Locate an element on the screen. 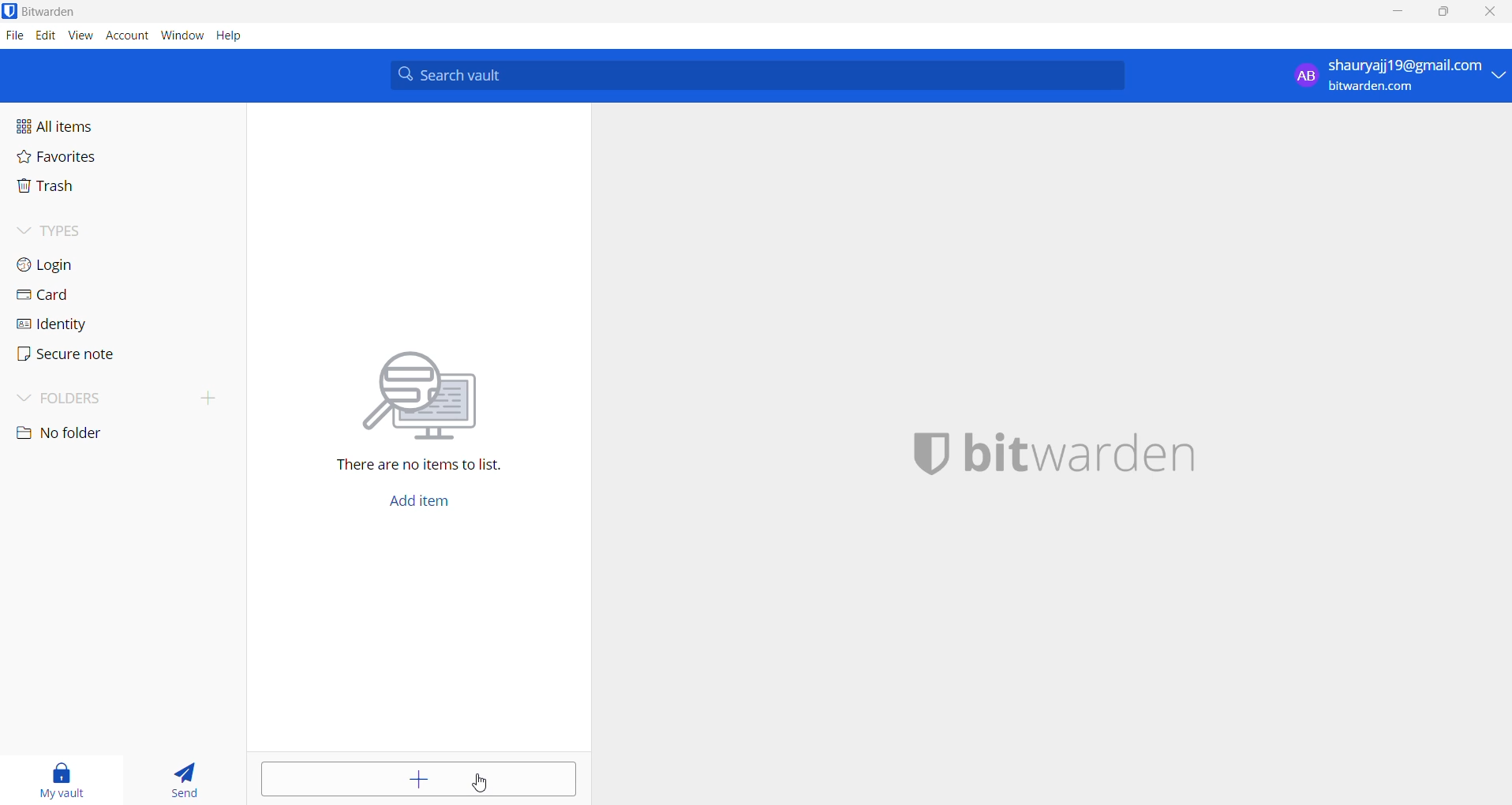 The height and width of the screenshot is (805, 1512). add item is located at coordinates (429, 500).